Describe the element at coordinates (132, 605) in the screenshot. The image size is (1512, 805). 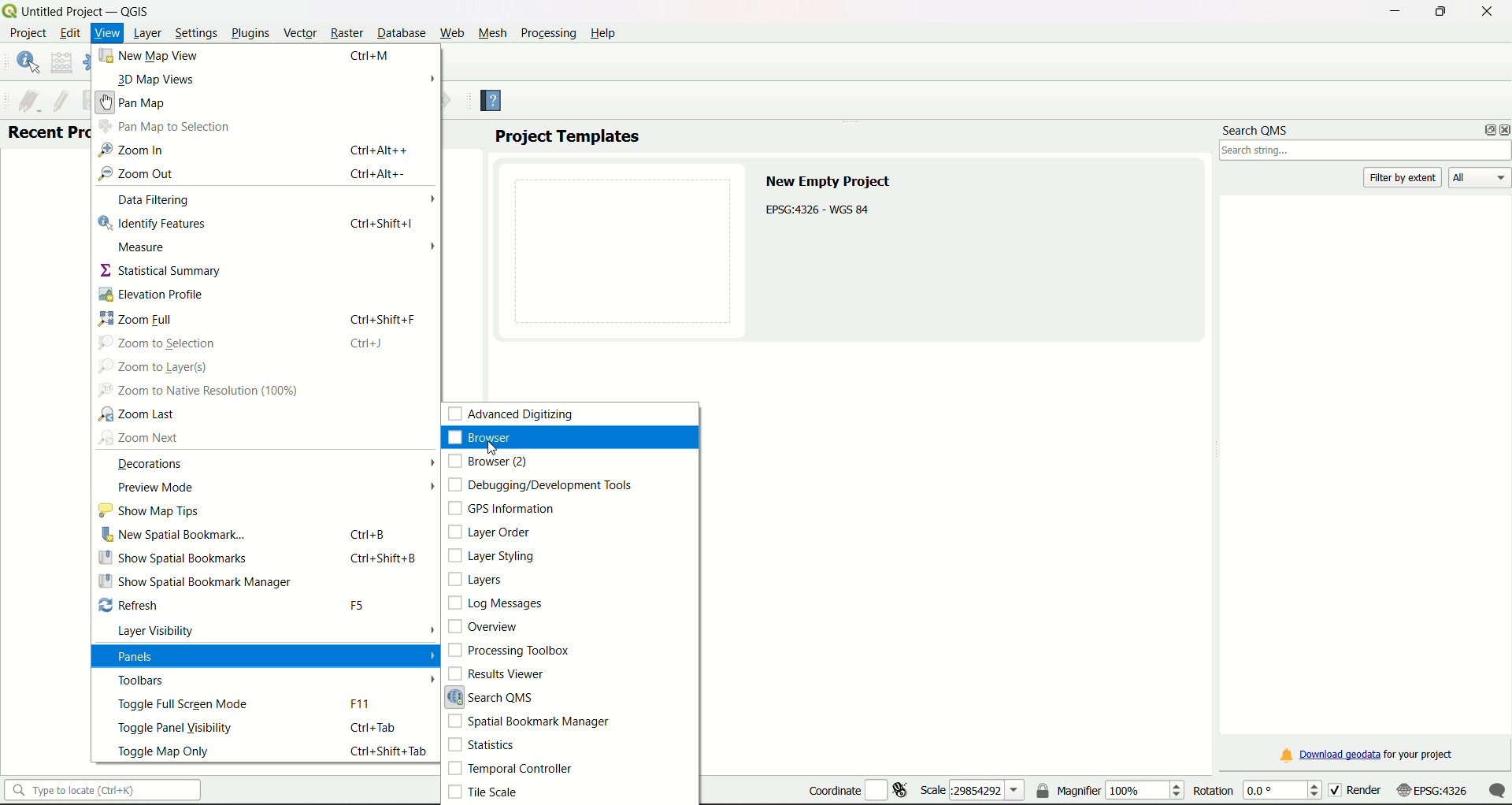
I see `refresh` at that location.